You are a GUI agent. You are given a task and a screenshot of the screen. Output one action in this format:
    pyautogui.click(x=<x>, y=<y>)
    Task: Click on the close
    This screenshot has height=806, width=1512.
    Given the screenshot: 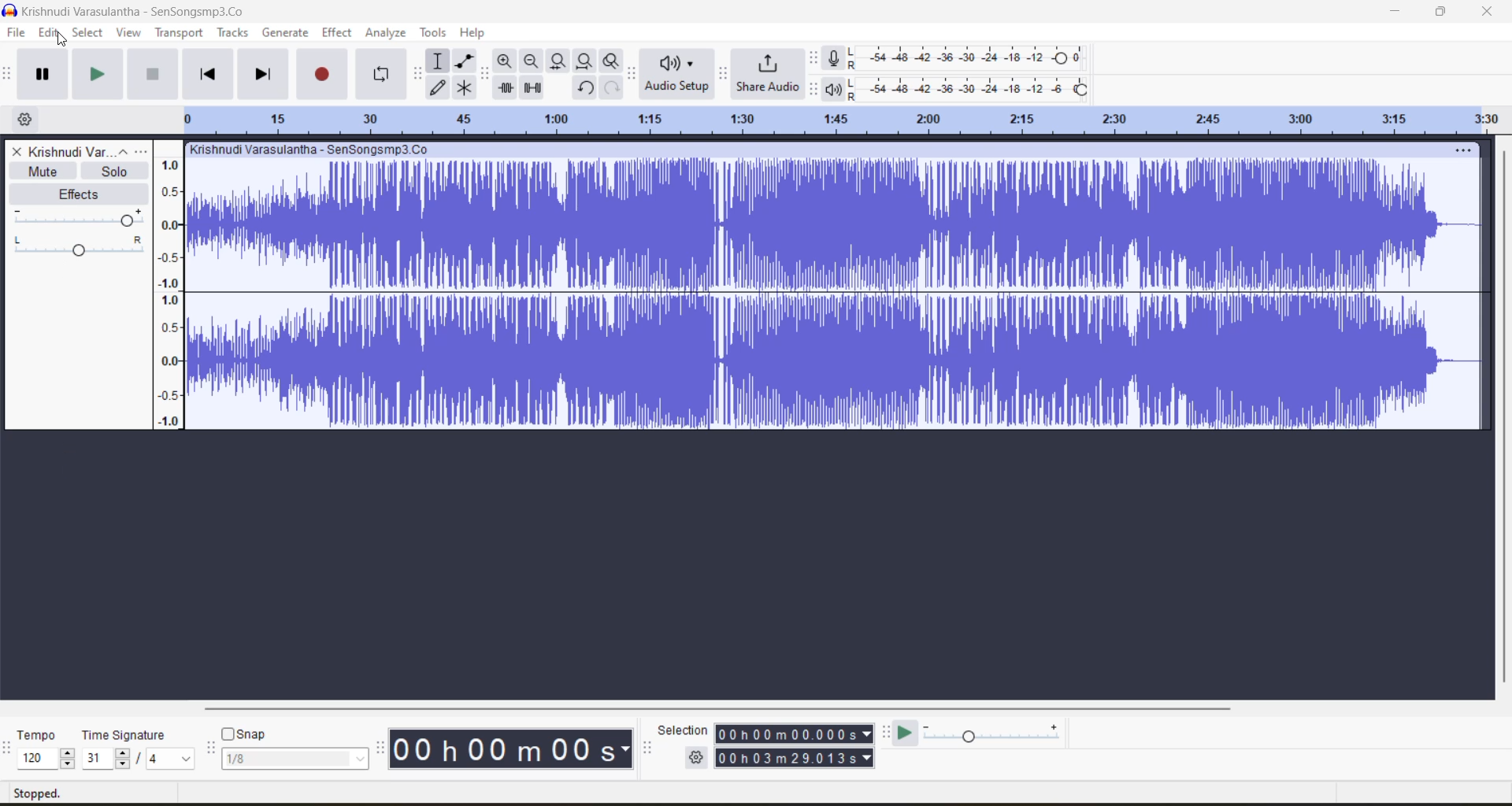 What is the action you would take?
    pyautogui.click(x=1488, y=12)
    